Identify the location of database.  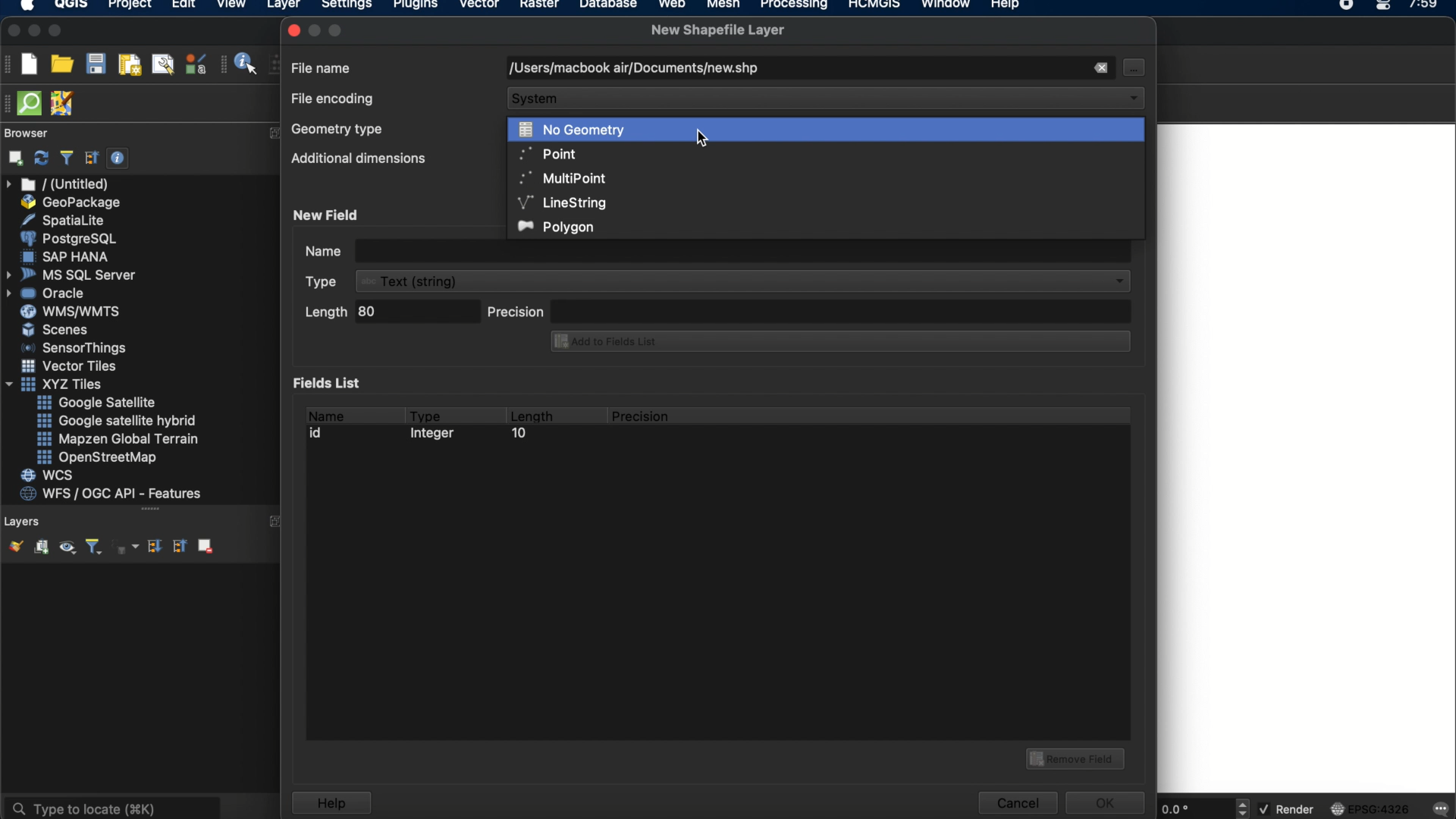
(607, 6).